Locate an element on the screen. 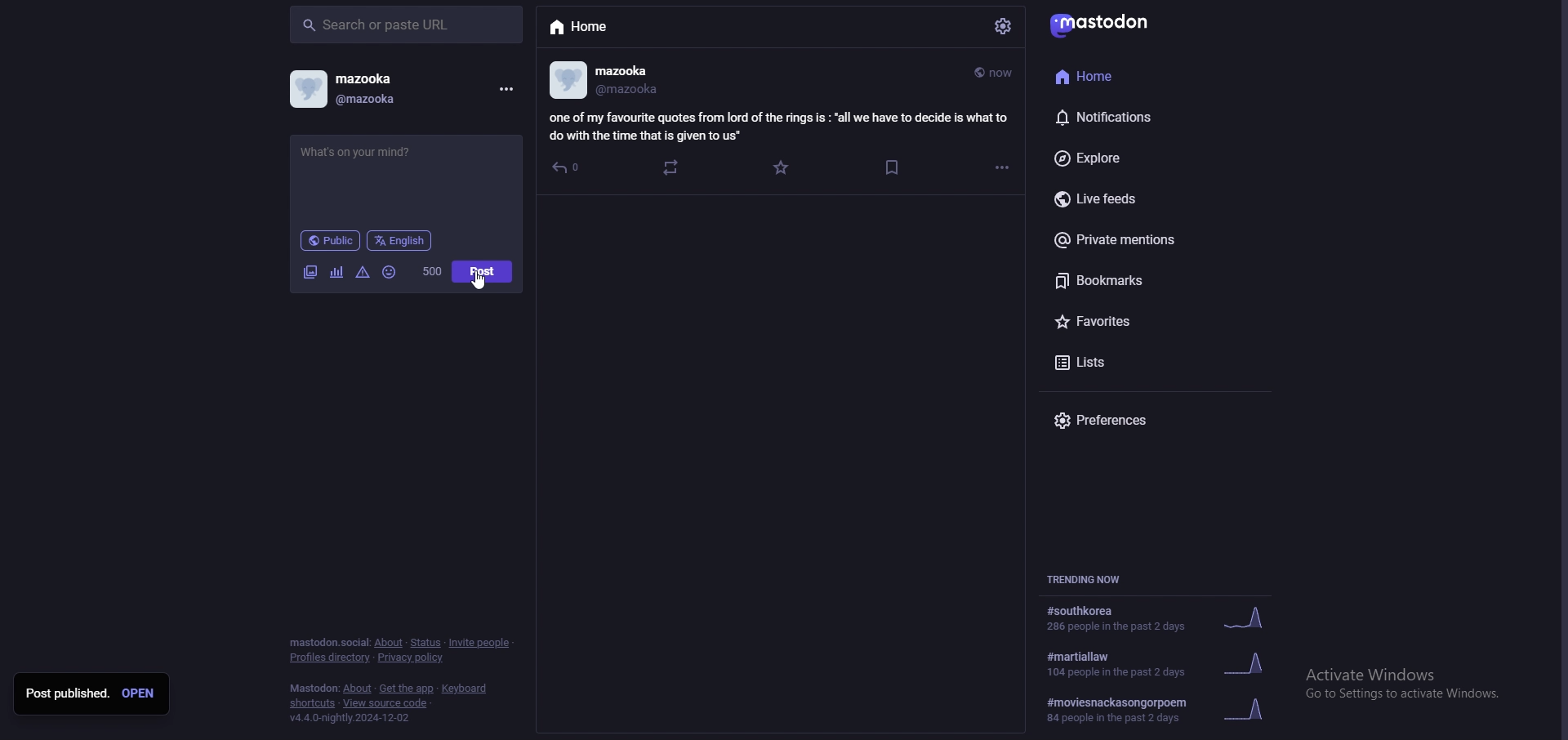 Image resolution: width=1568 pixels, height=740 pixels. Information about a trend is located at coordinates (1166, 712).